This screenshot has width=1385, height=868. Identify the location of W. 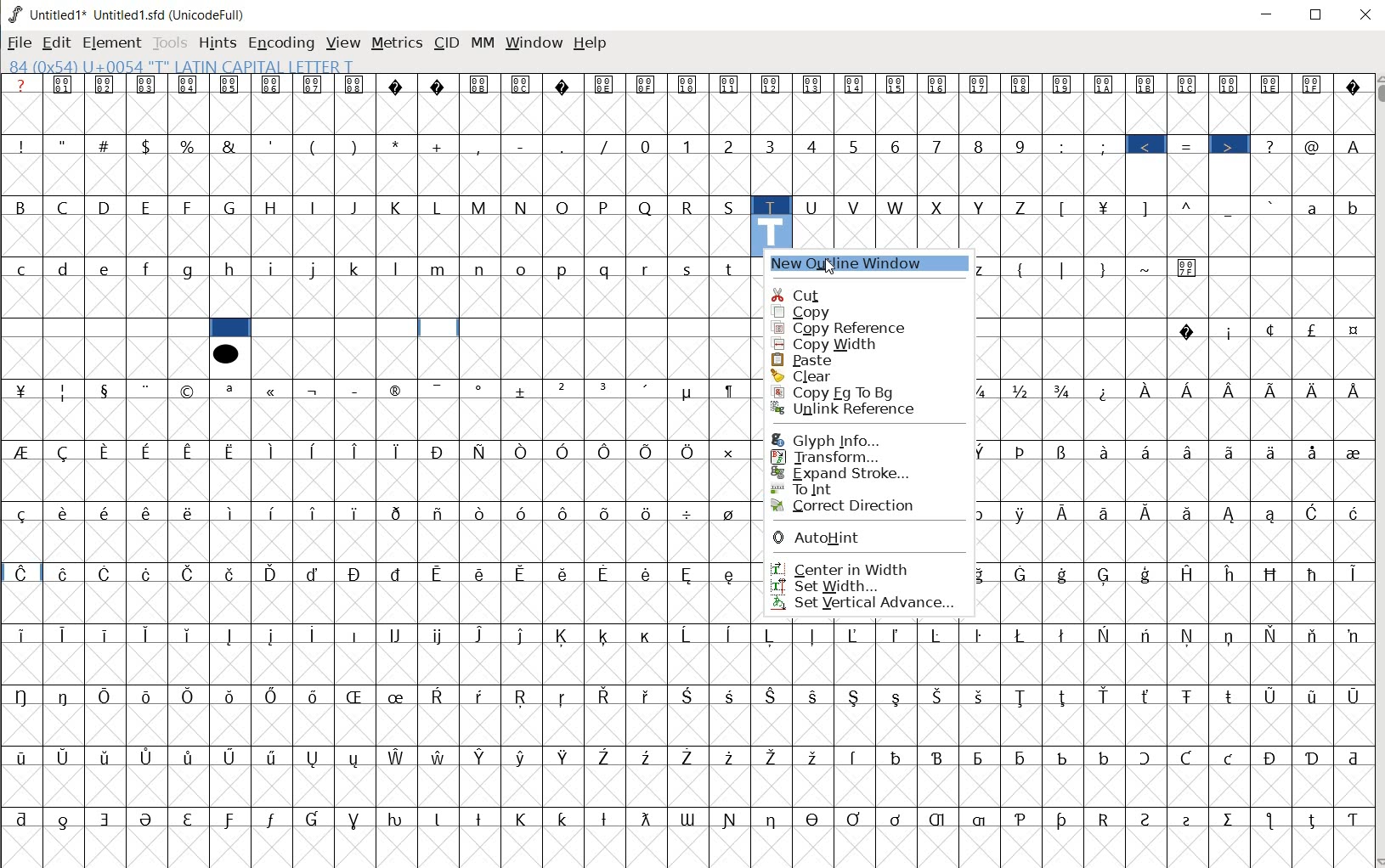
(897, 207).